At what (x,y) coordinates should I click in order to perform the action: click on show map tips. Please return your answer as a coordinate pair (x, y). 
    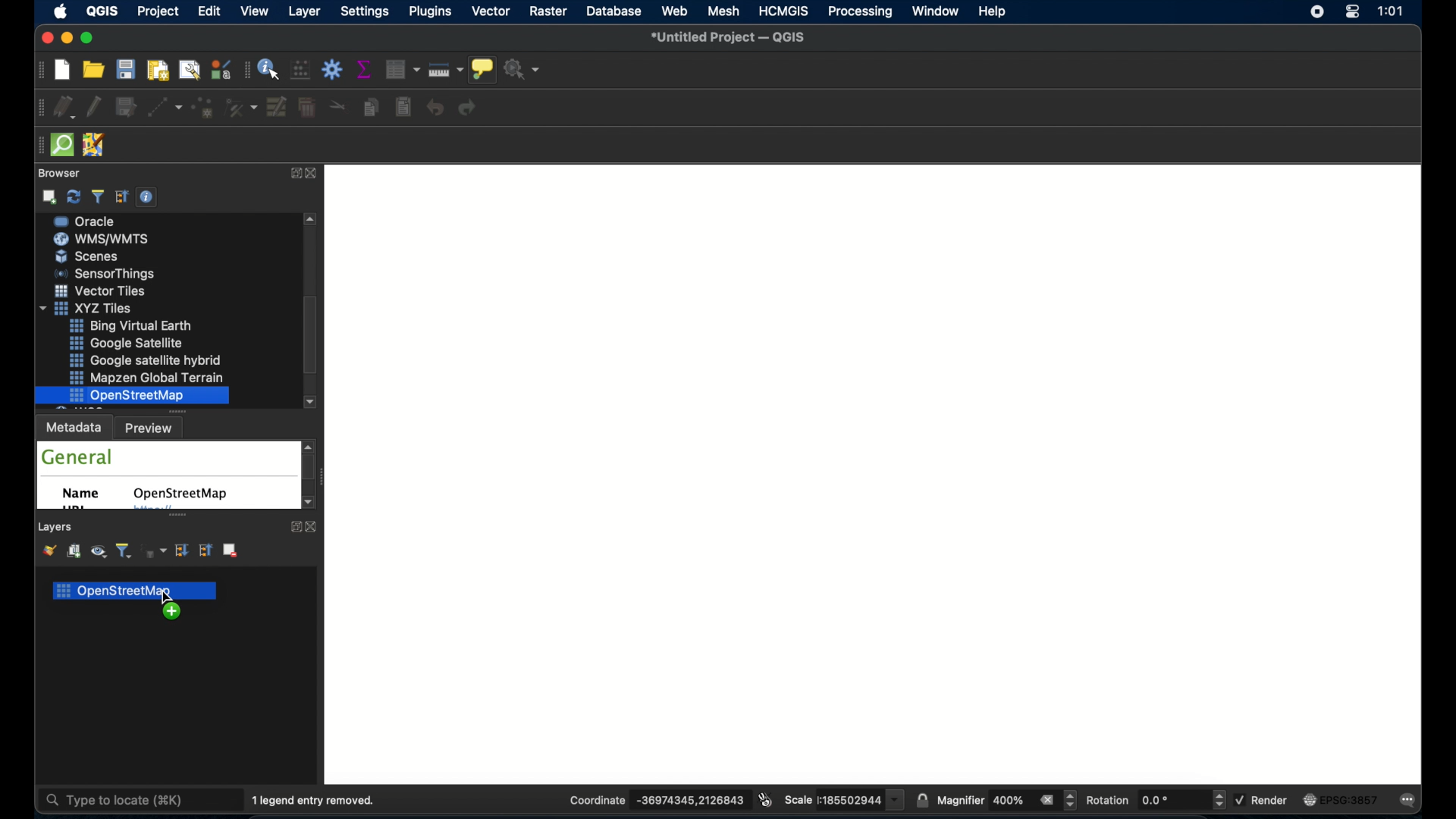
    Looking at the image, I should click on (482, 70).